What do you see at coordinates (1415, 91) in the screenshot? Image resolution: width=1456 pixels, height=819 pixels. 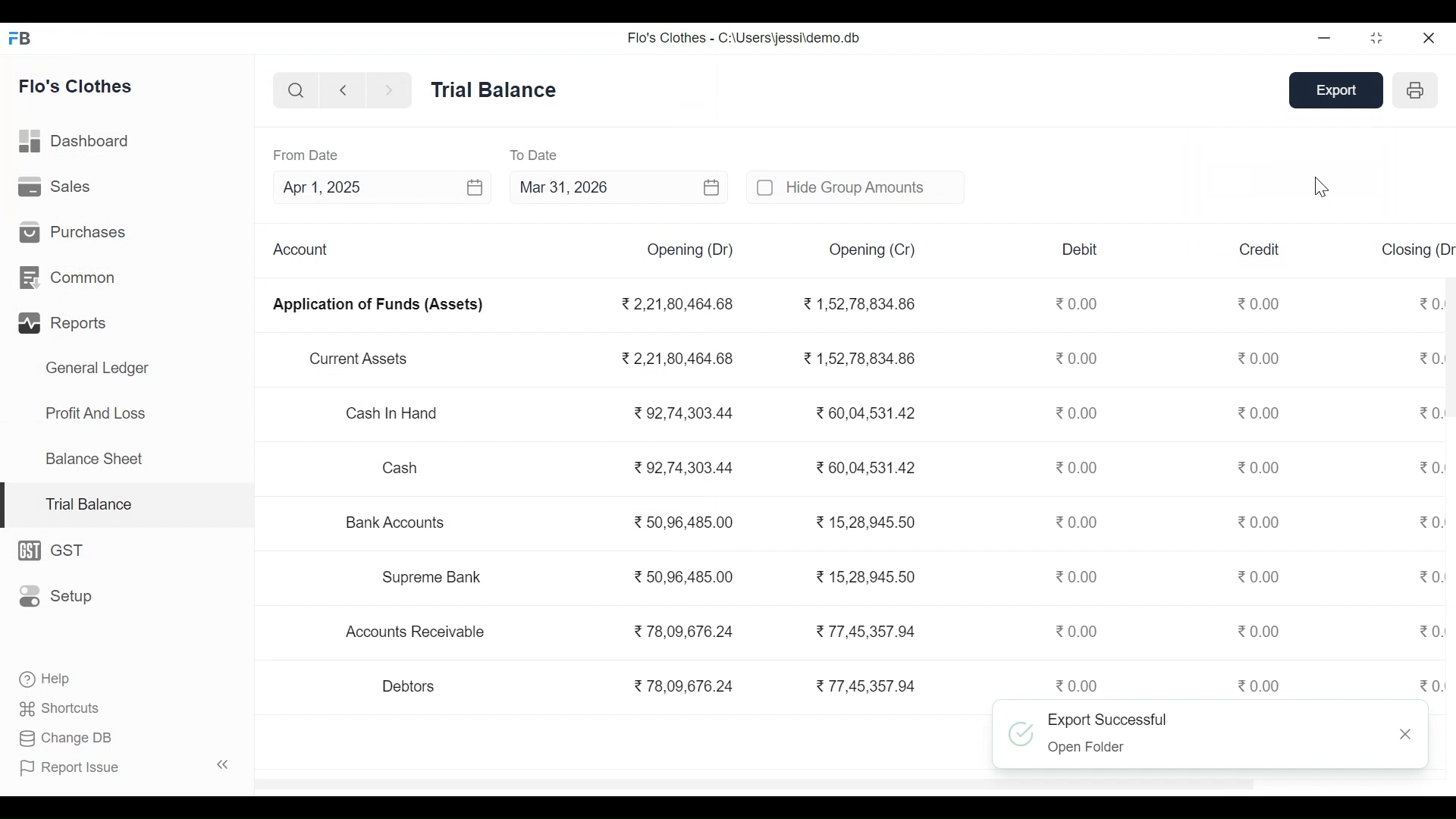 I see `Print` at bounding box center [1415, 91].